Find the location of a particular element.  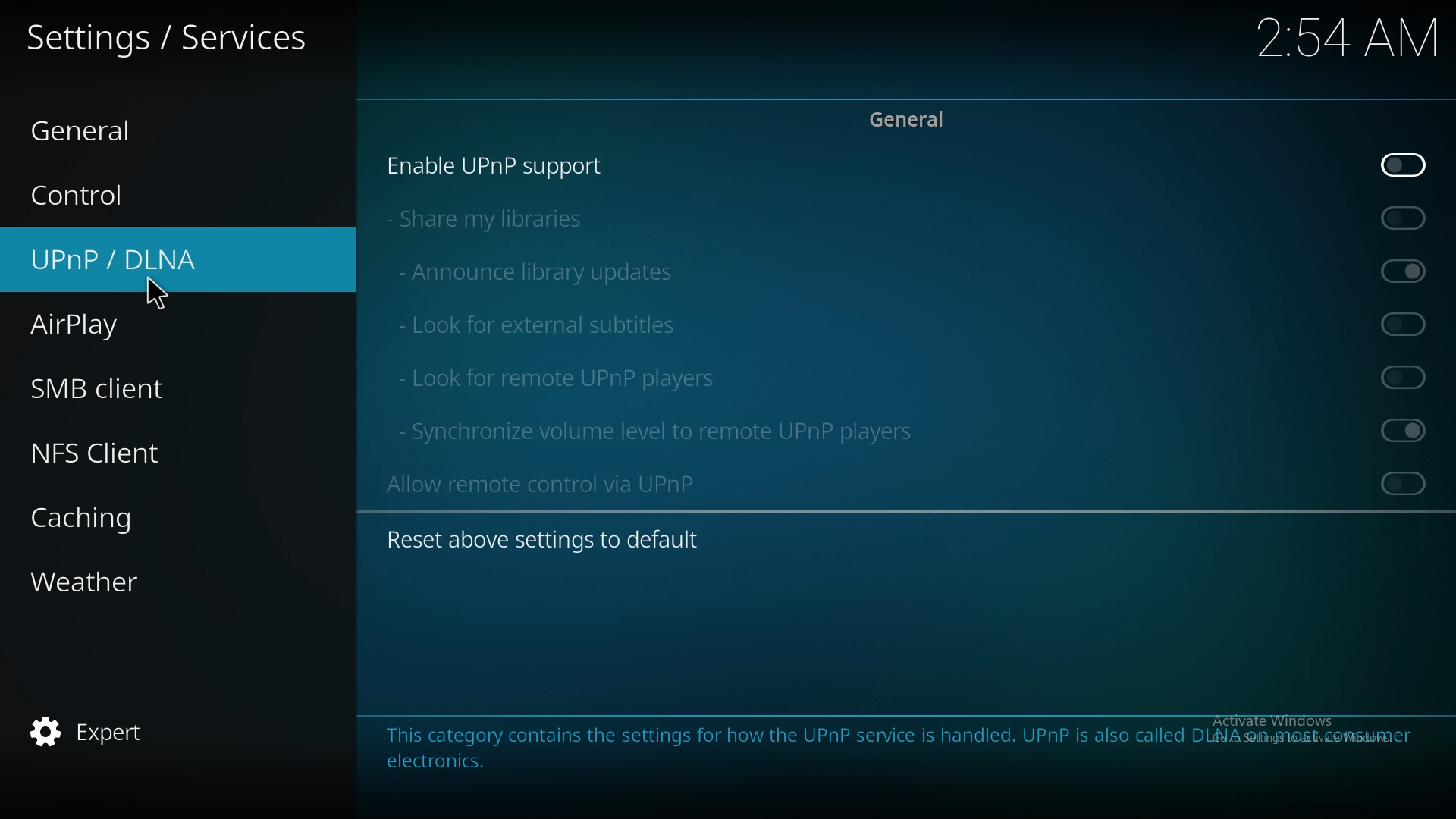

off is located at coordinates (1406, 218).